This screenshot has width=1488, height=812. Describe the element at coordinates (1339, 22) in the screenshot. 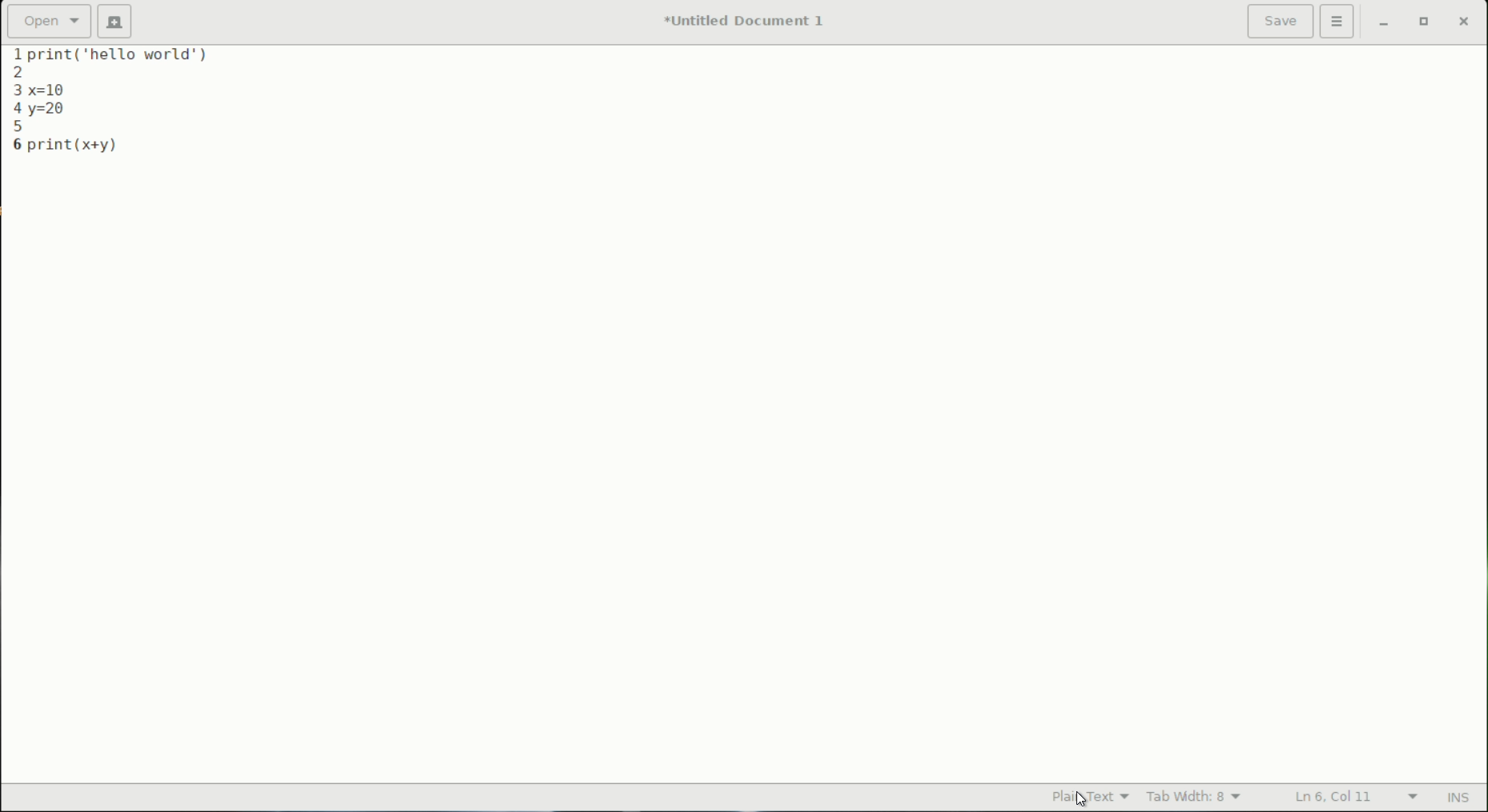

I see `more options` at that location.